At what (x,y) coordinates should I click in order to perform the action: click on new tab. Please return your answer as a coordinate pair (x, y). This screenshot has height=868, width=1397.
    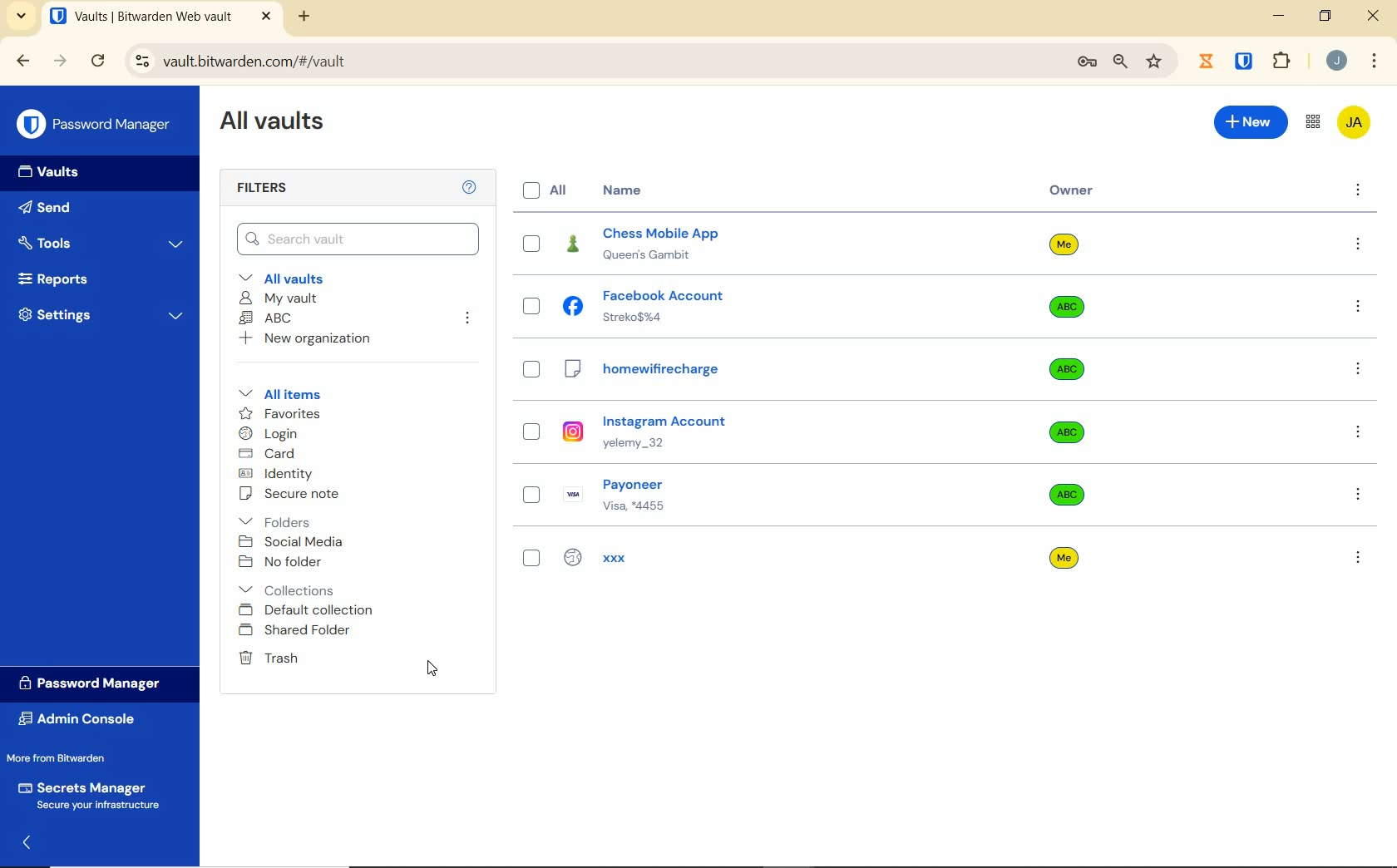
    Looking at the image, I should click on (304, 18).